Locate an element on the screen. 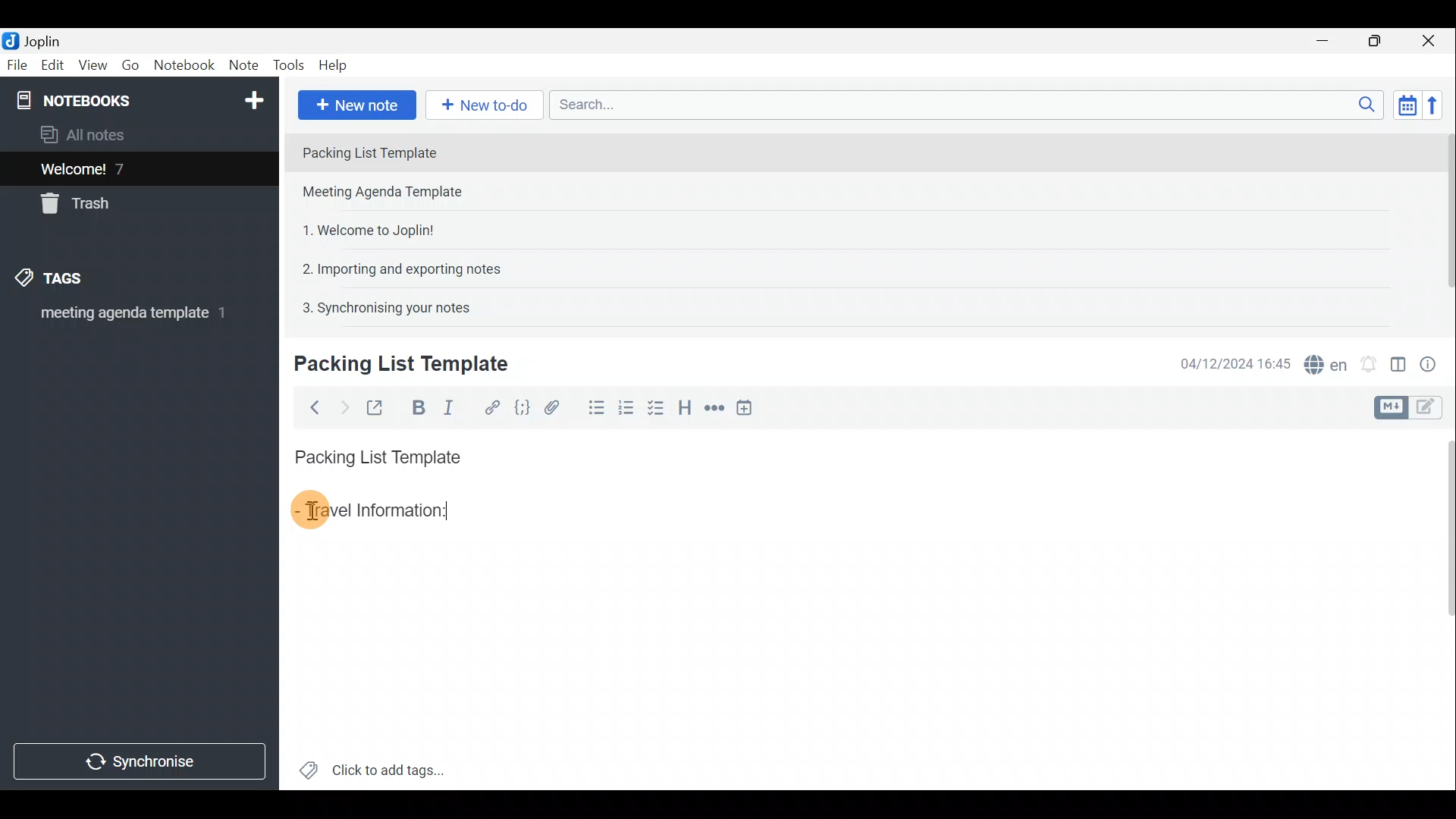  Italic is located at coordinates (454, 407).